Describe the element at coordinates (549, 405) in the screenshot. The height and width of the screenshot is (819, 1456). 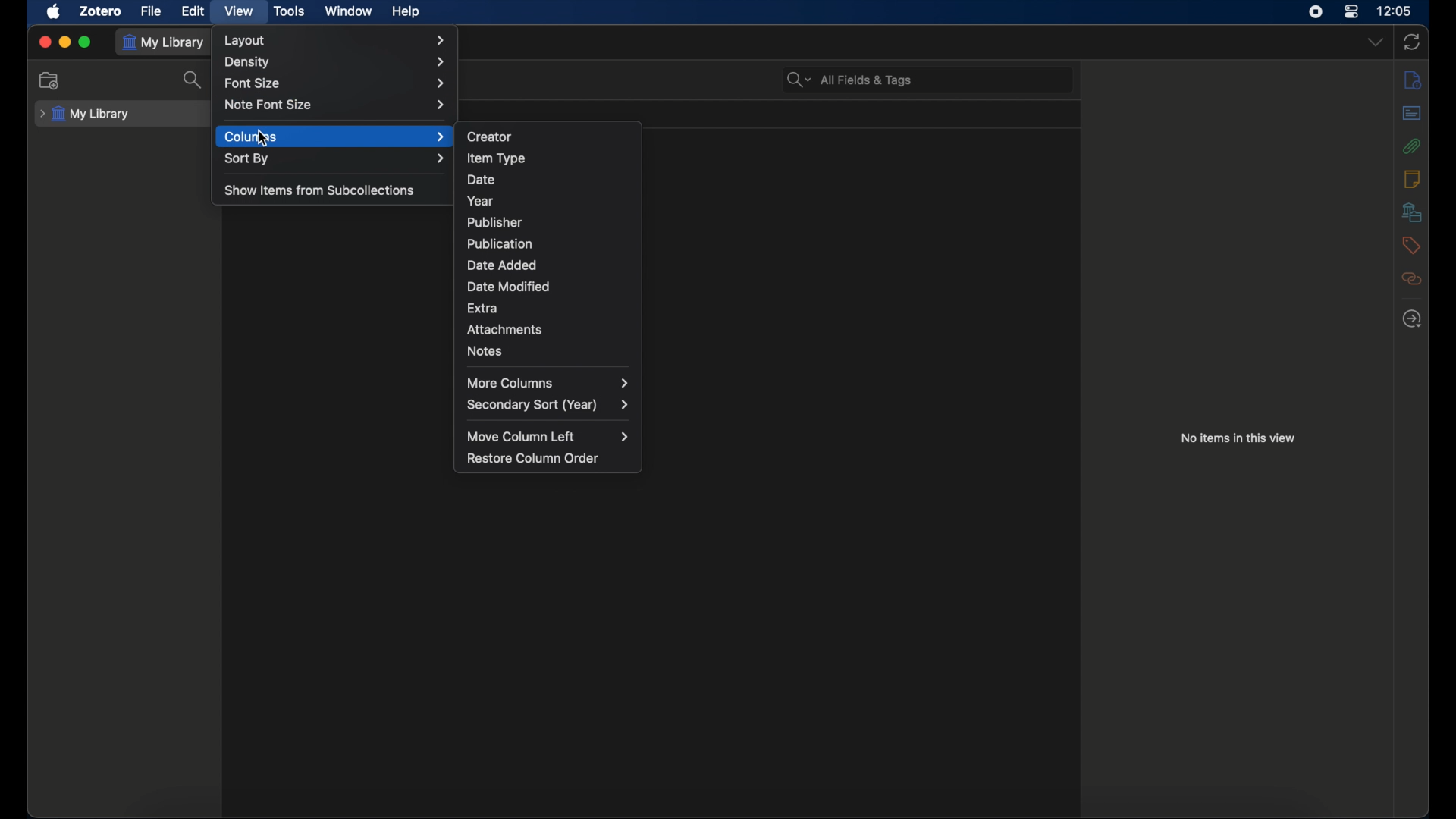
I see `secondary sort` at that location.